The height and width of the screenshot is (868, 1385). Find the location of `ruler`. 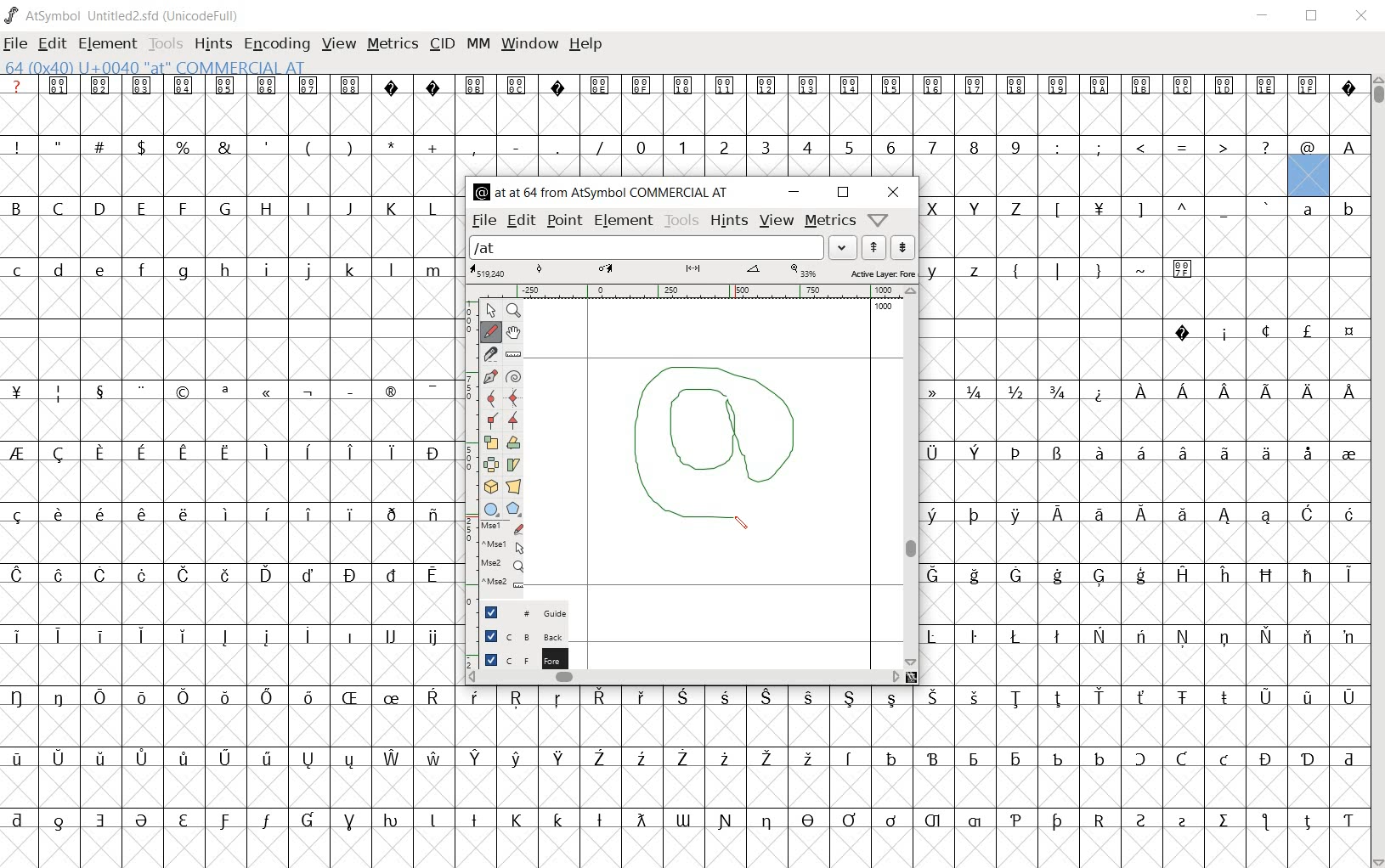

ruler is located at coordinates (687, 293).